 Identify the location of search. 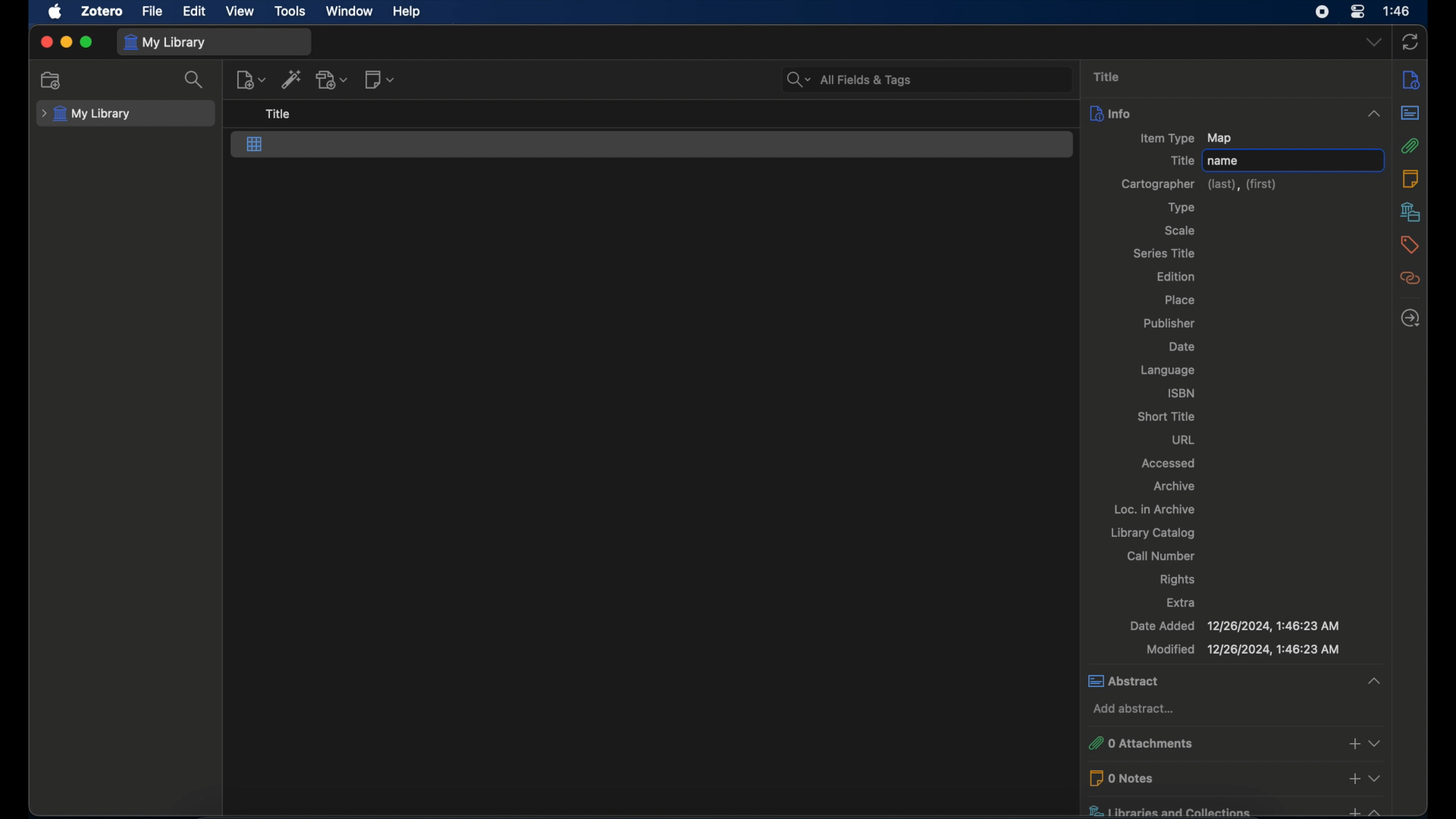
(196, 80).